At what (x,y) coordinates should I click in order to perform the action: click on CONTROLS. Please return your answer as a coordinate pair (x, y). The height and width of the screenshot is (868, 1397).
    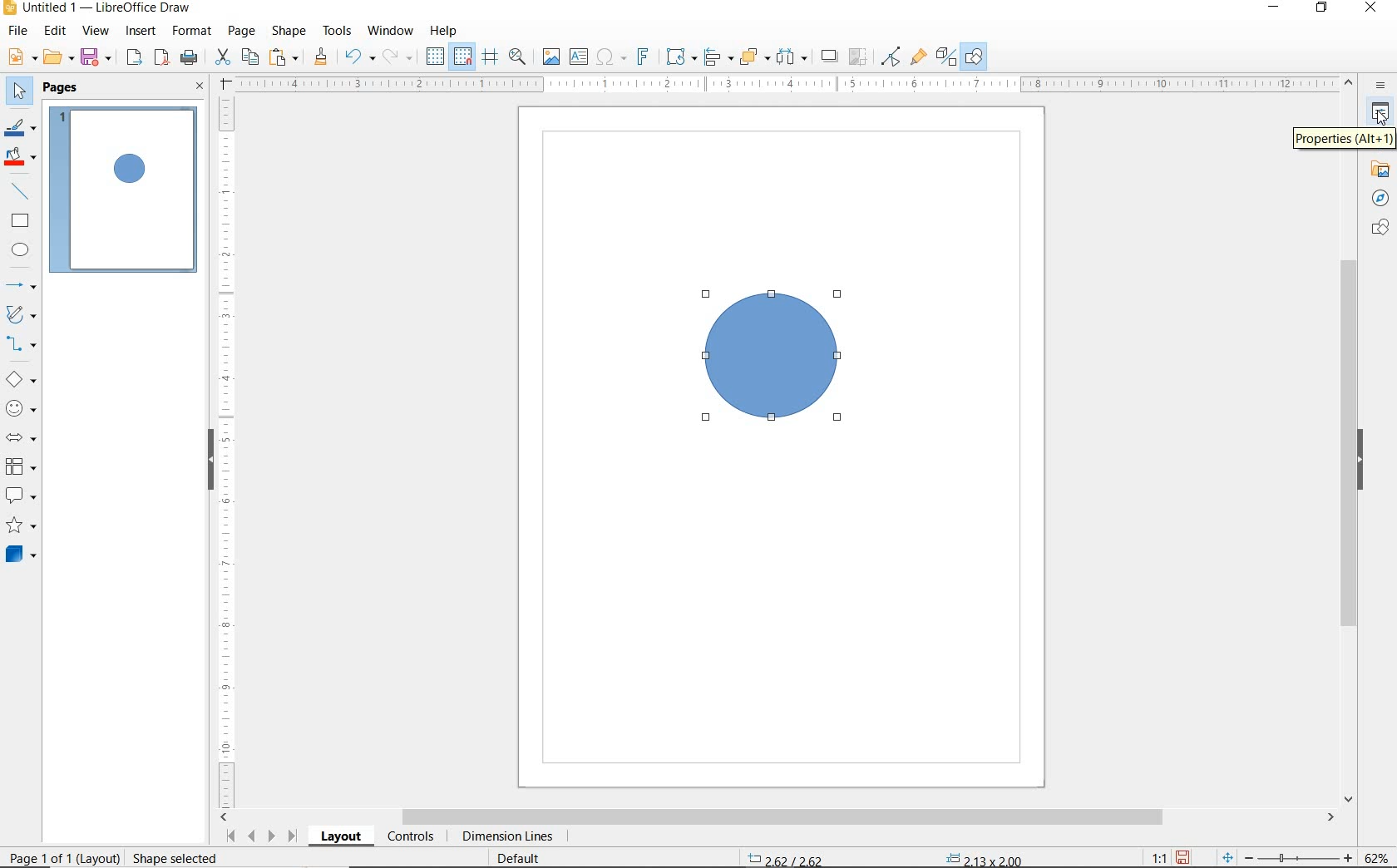
    Looking at the image, I should click on (412, 837).